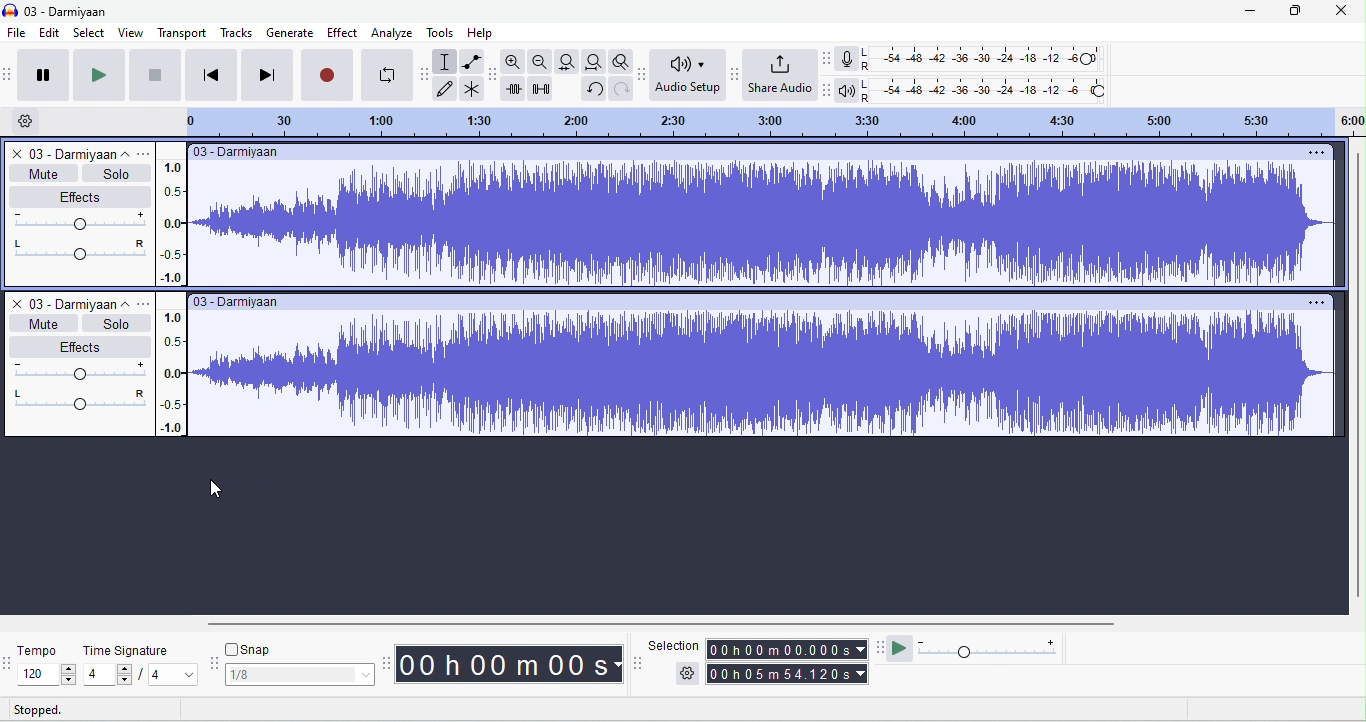 The height and width of the screenshot is (722, 1366). What do you see at coordinates (155, 75) in the screenshot?
I see `stop` at bounding box center [155, 75].